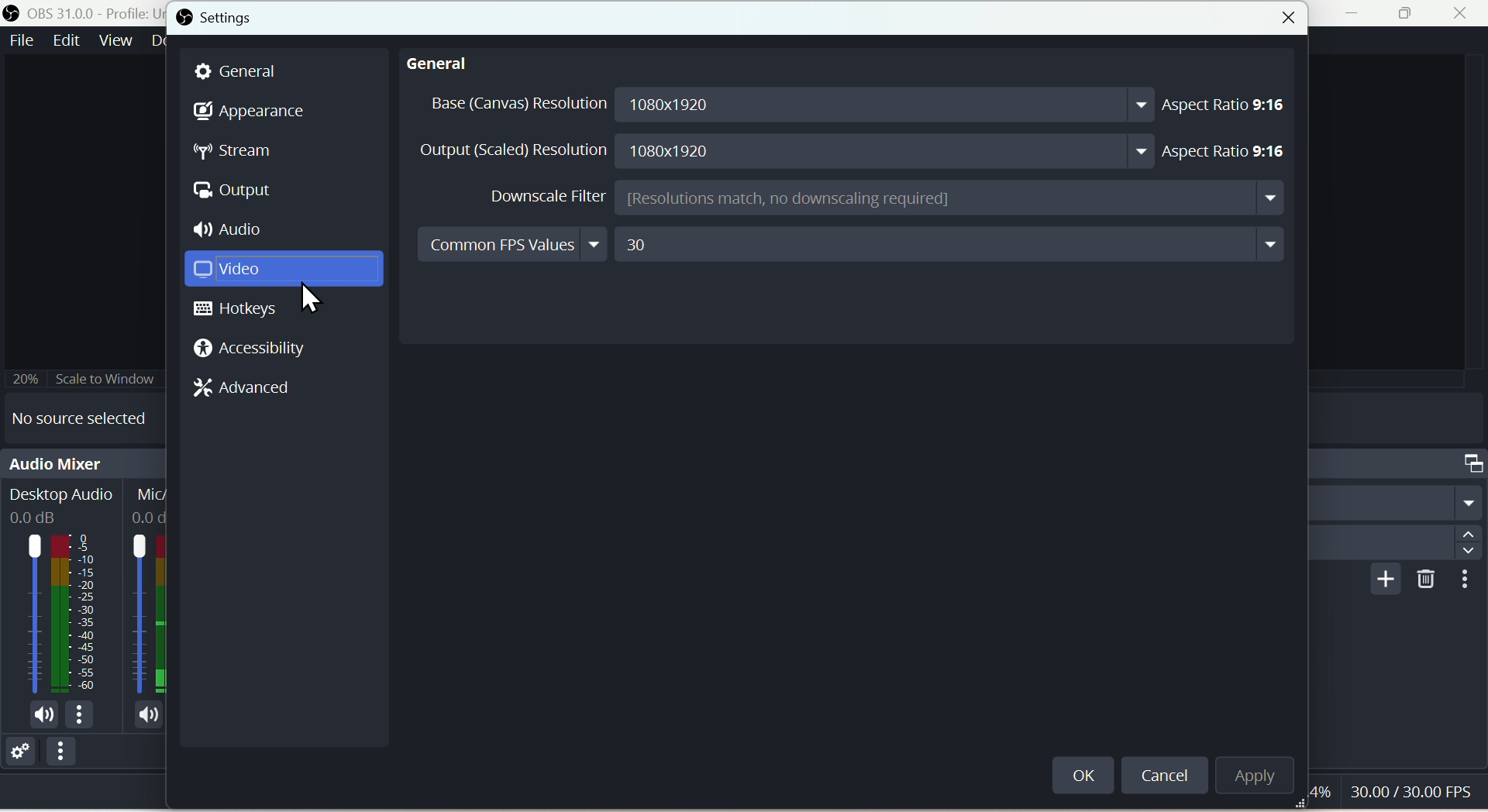 Image resolution: width=1488 pixels, height=812 pixels. I want to click on More options, so click(1466, 580).